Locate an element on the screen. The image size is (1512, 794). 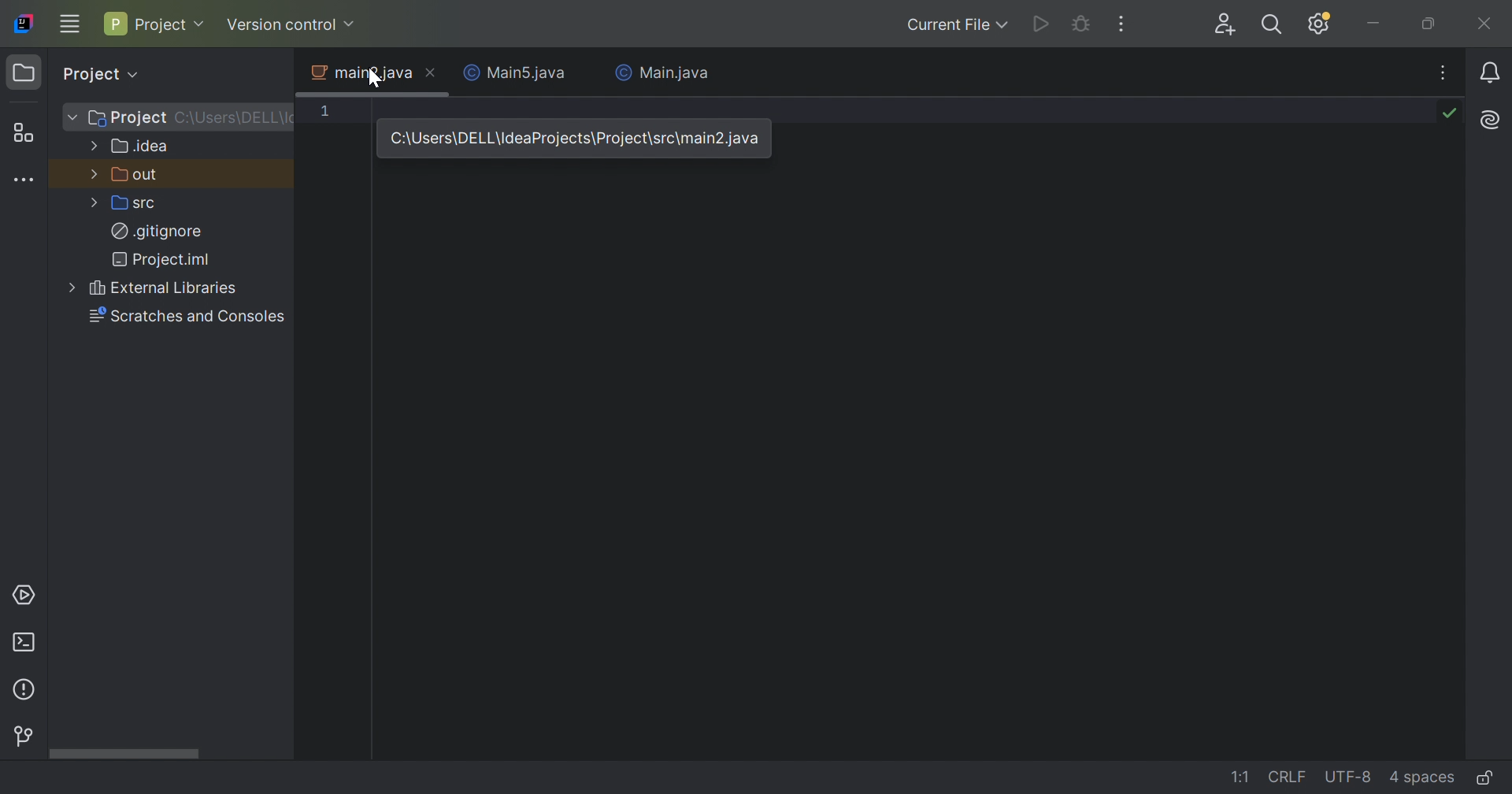
Main menu is located at coordinates (67, 25).